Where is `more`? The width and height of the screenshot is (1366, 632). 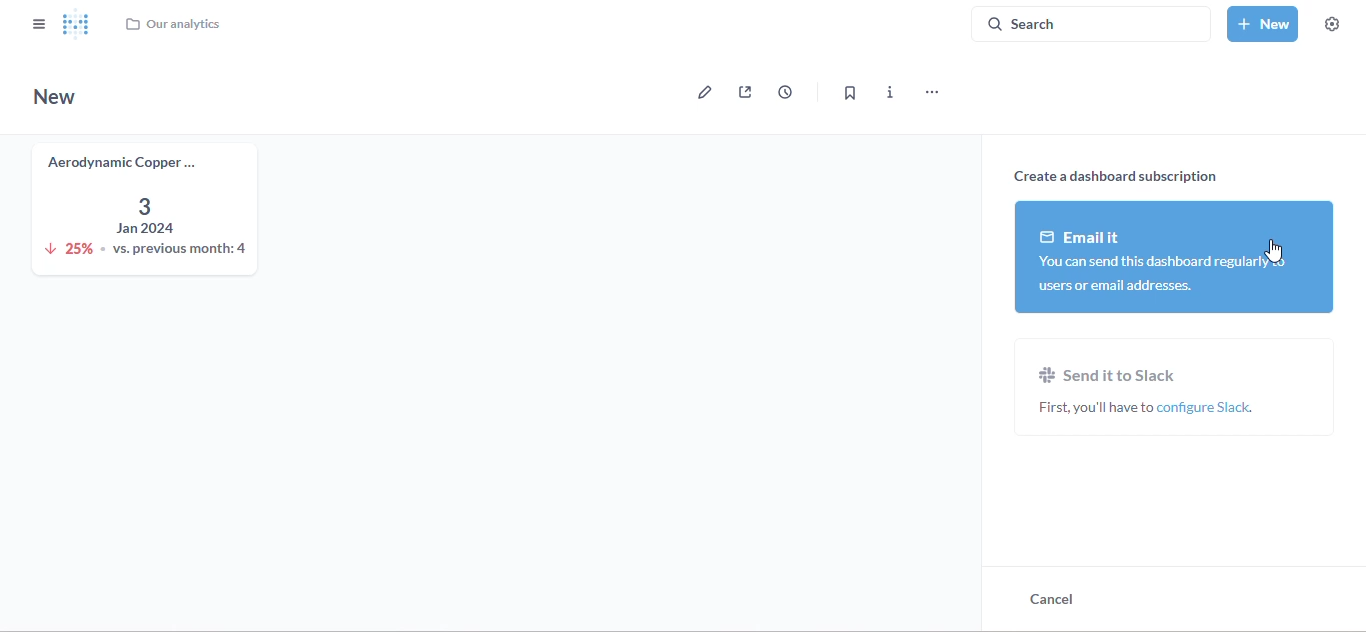 more is located at coordinates (930, 93).